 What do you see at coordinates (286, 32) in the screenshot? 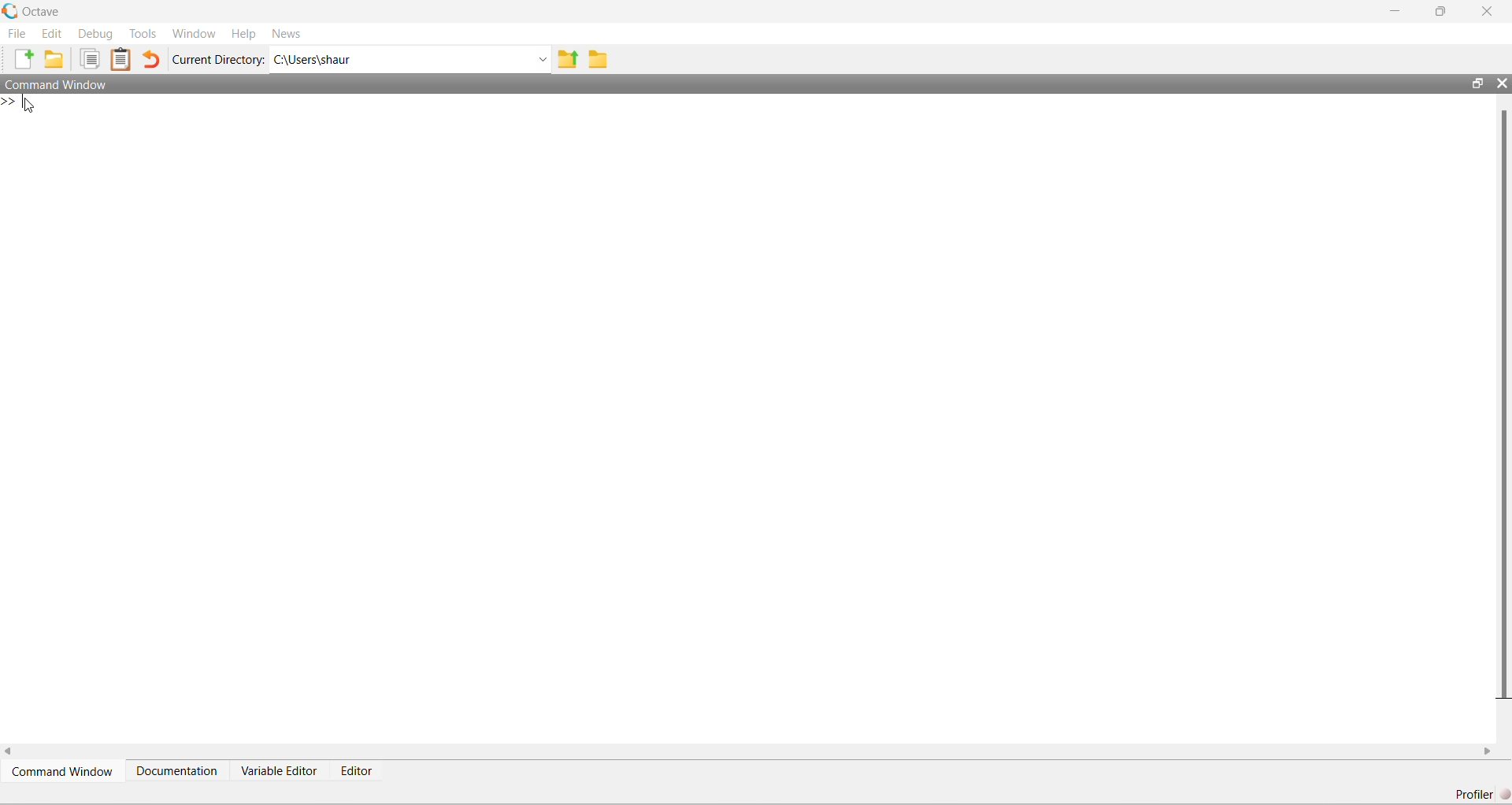
I see `News` at bounding box center [286, 32].